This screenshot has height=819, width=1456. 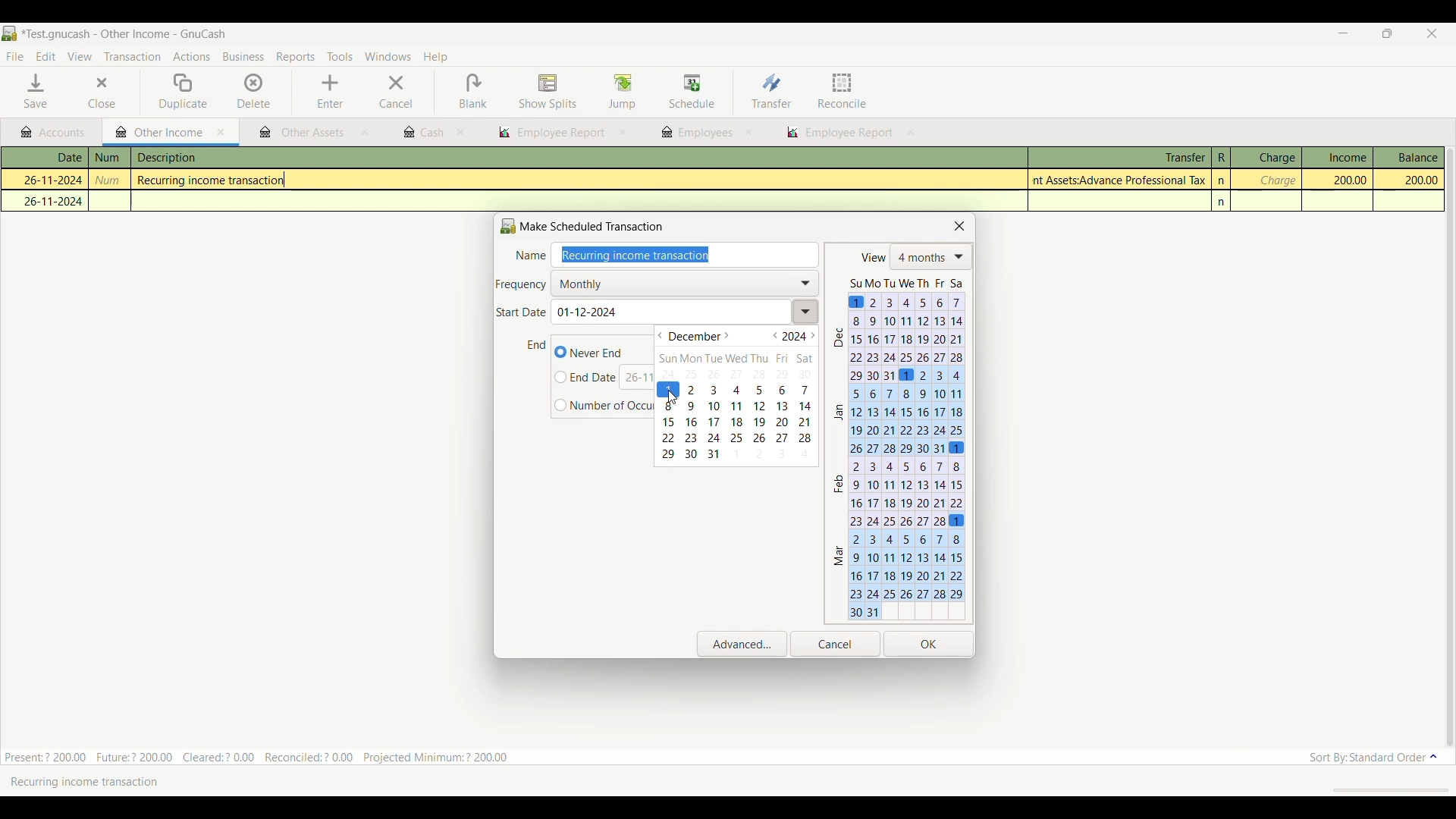 I want to click on Close scheduled , so click(x=960, y=226).